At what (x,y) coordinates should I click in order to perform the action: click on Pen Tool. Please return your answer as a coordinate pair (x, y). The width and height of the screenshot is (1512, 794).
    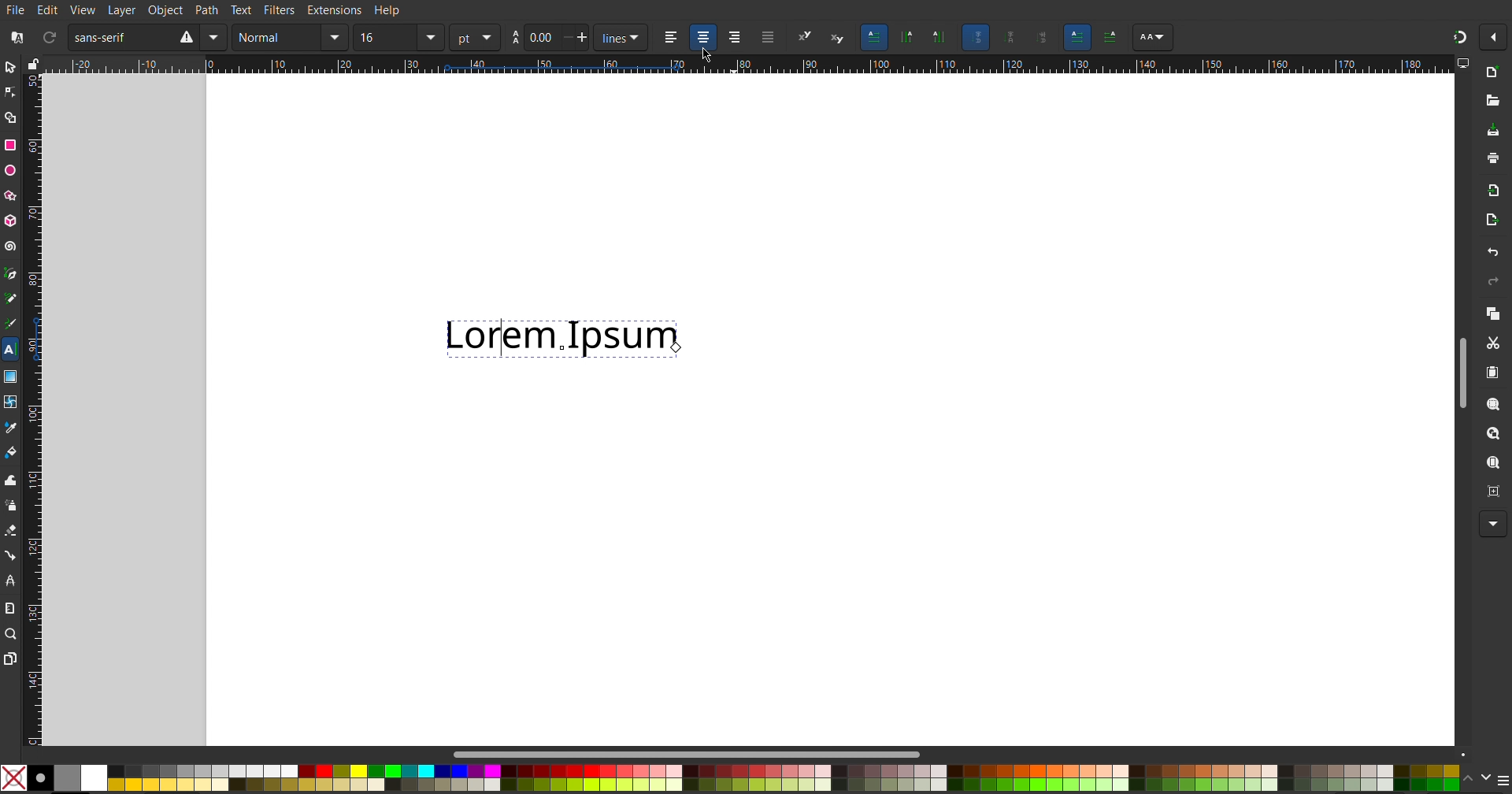
    Looking at the image, I should click on (13, 275).